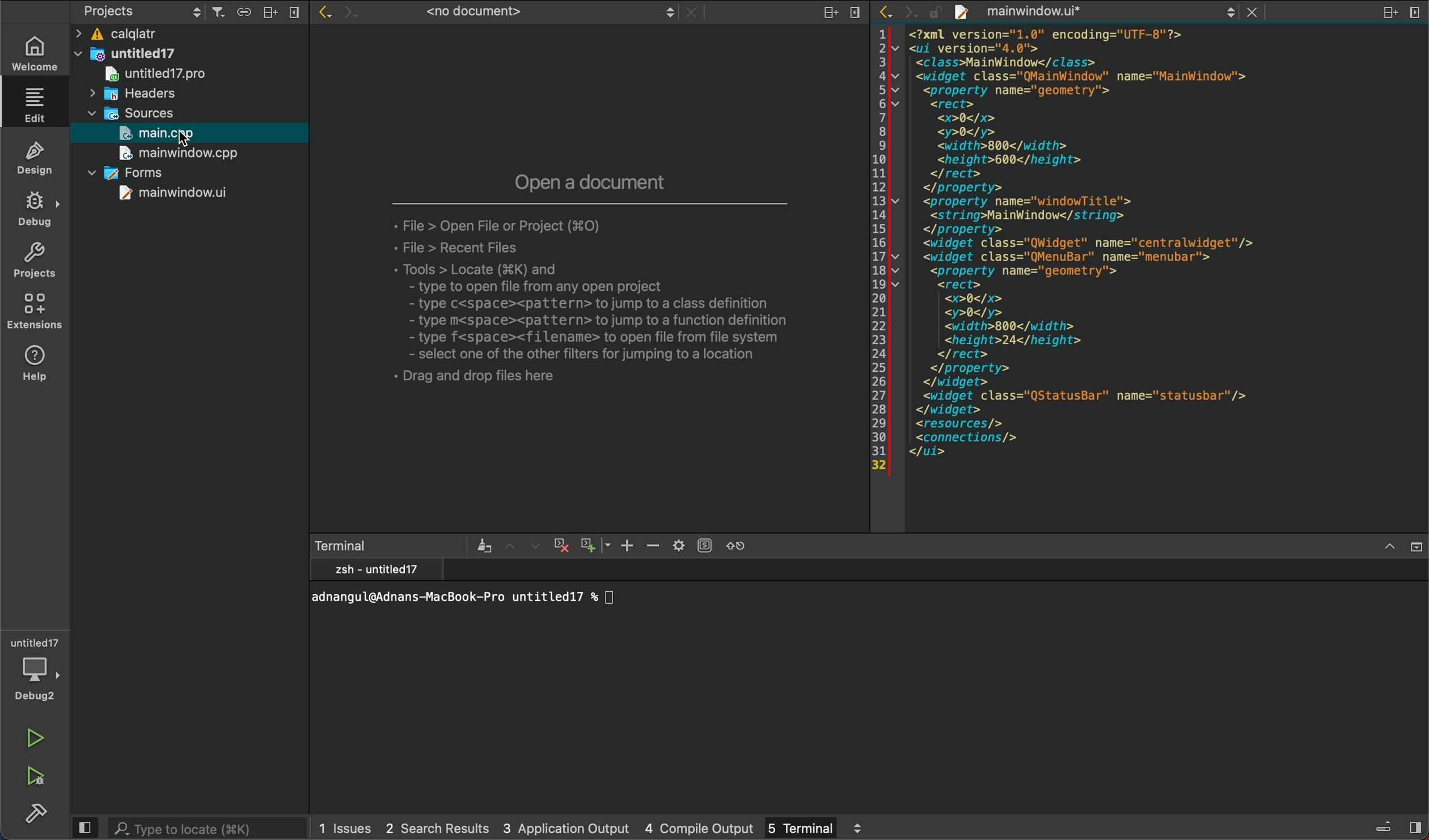  What do you see at coordinates (37, 740) in the screenshot?
I see `run ` at bounding box center [37, 740].